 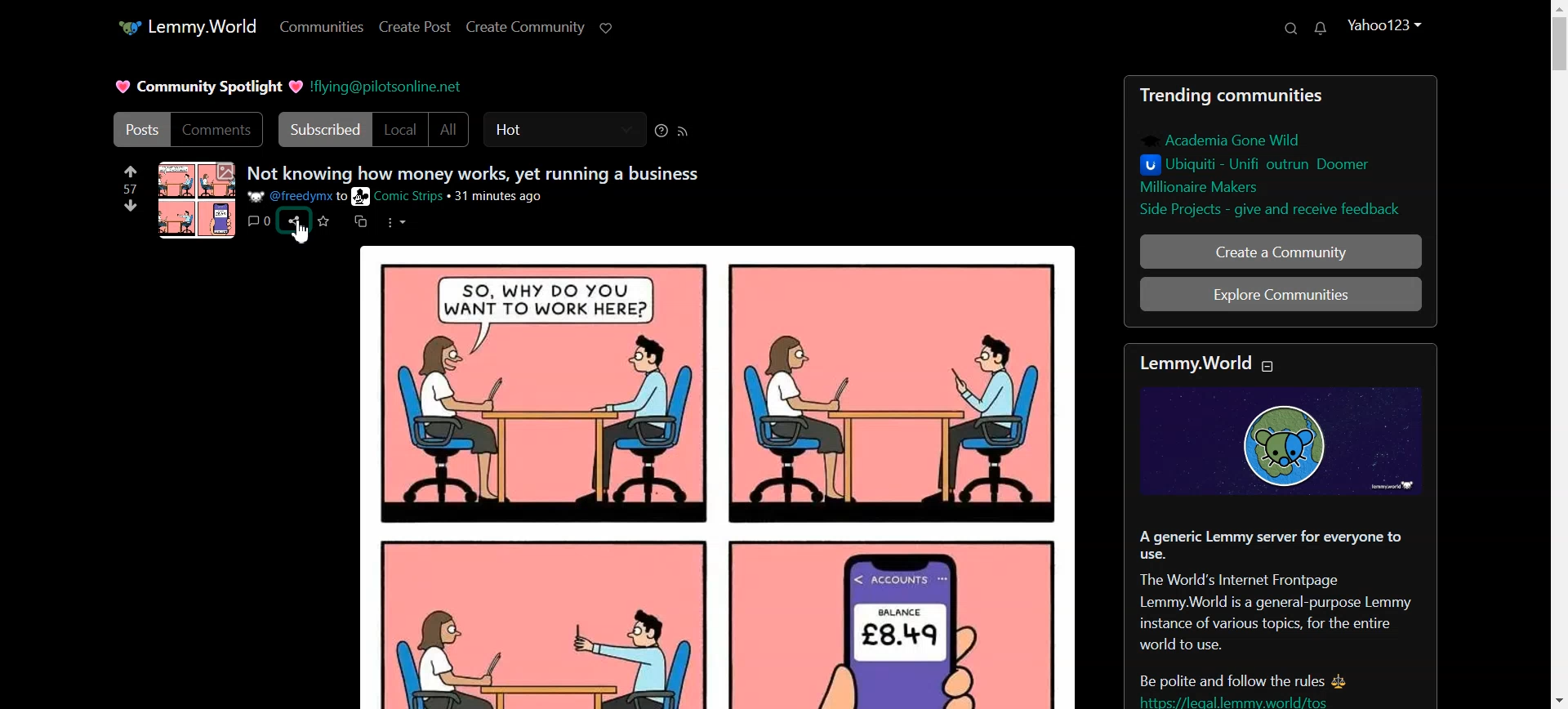 I want to click on Hyperlink, so click(x=396, y=197).